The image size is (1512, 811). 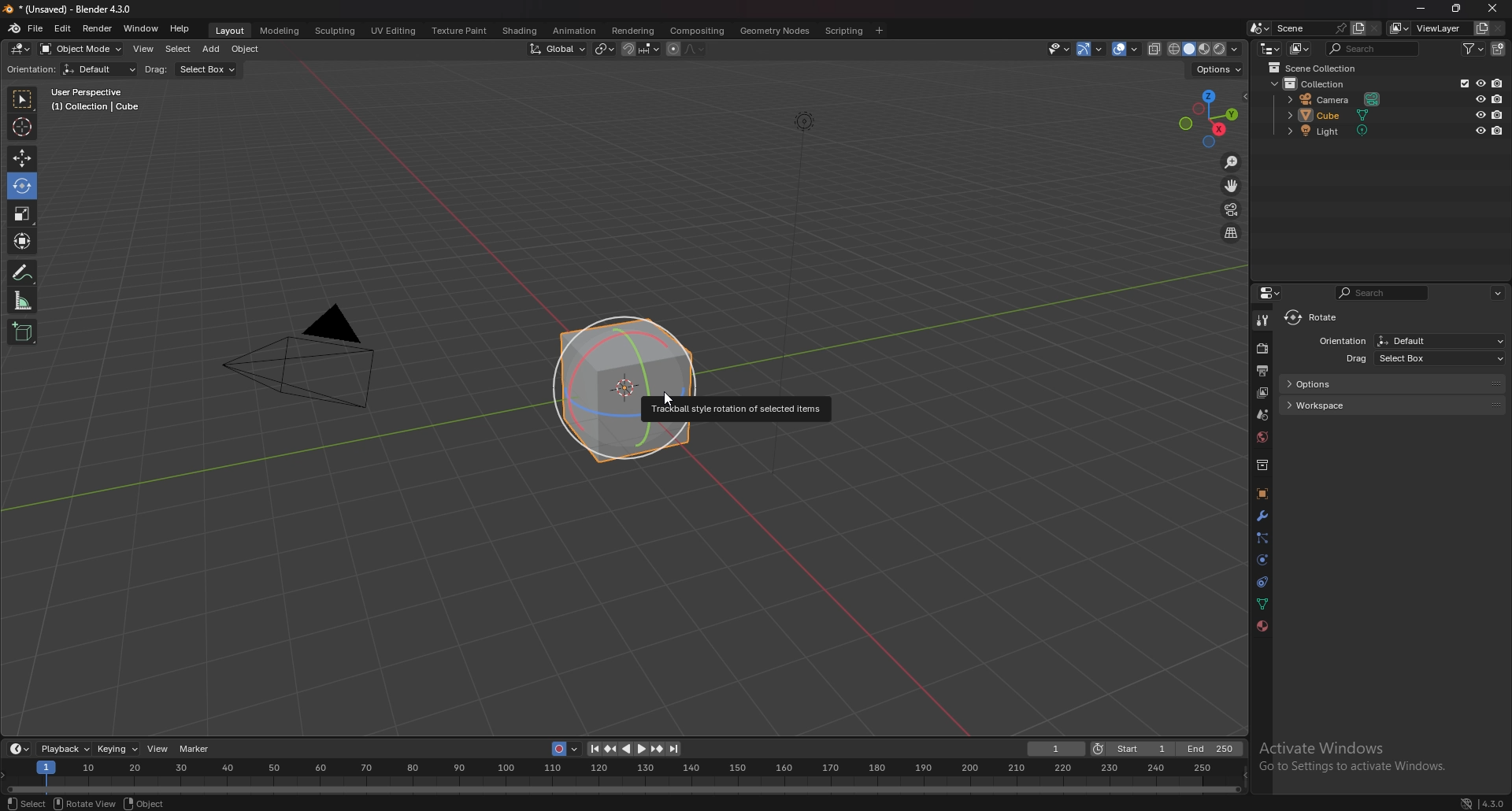 What do you see at coordinates (1341, 131) in the screenshot?
I see `light` at bounding box center [1341, 131].